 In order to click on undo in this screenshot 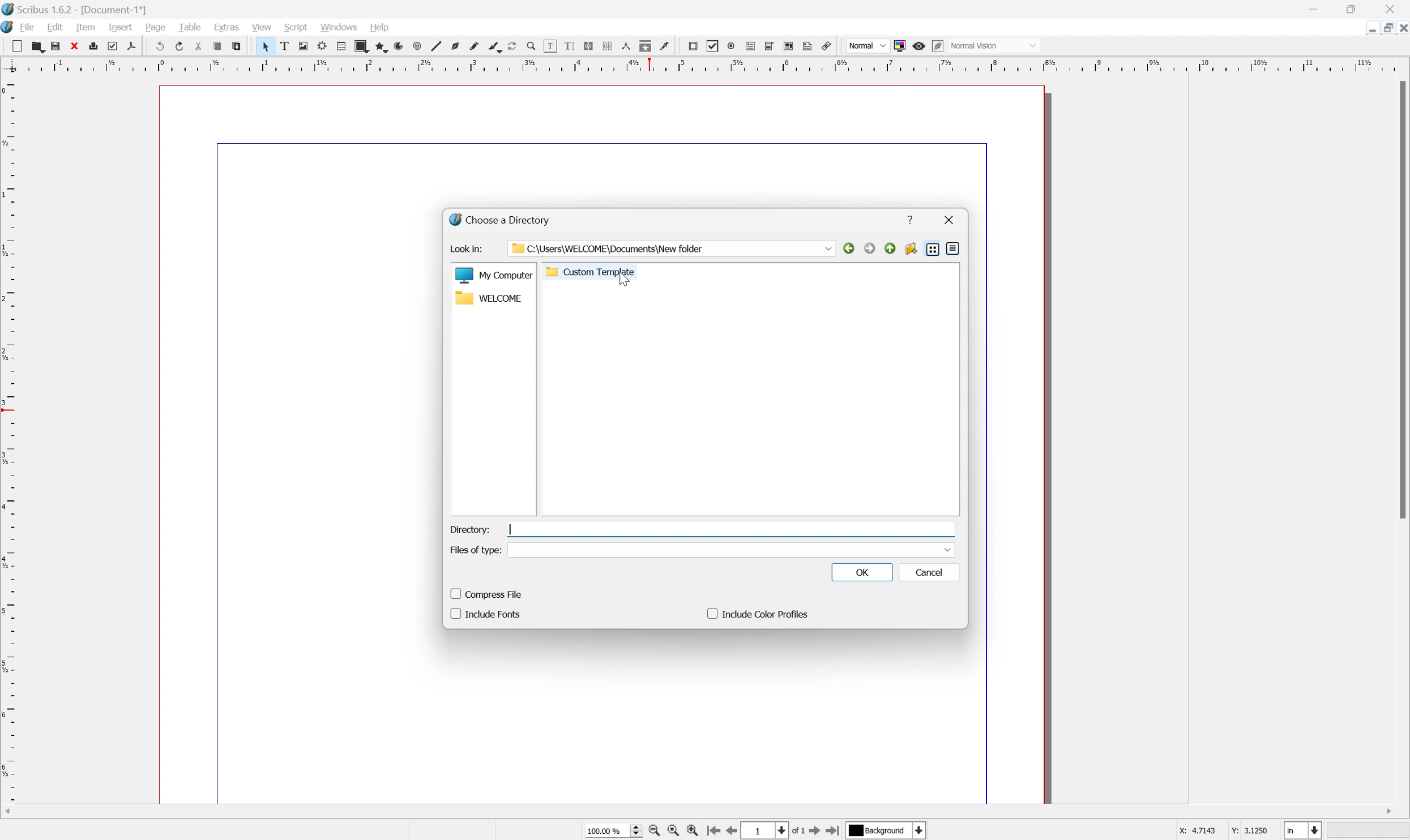, I will do `click(158, 46)`.